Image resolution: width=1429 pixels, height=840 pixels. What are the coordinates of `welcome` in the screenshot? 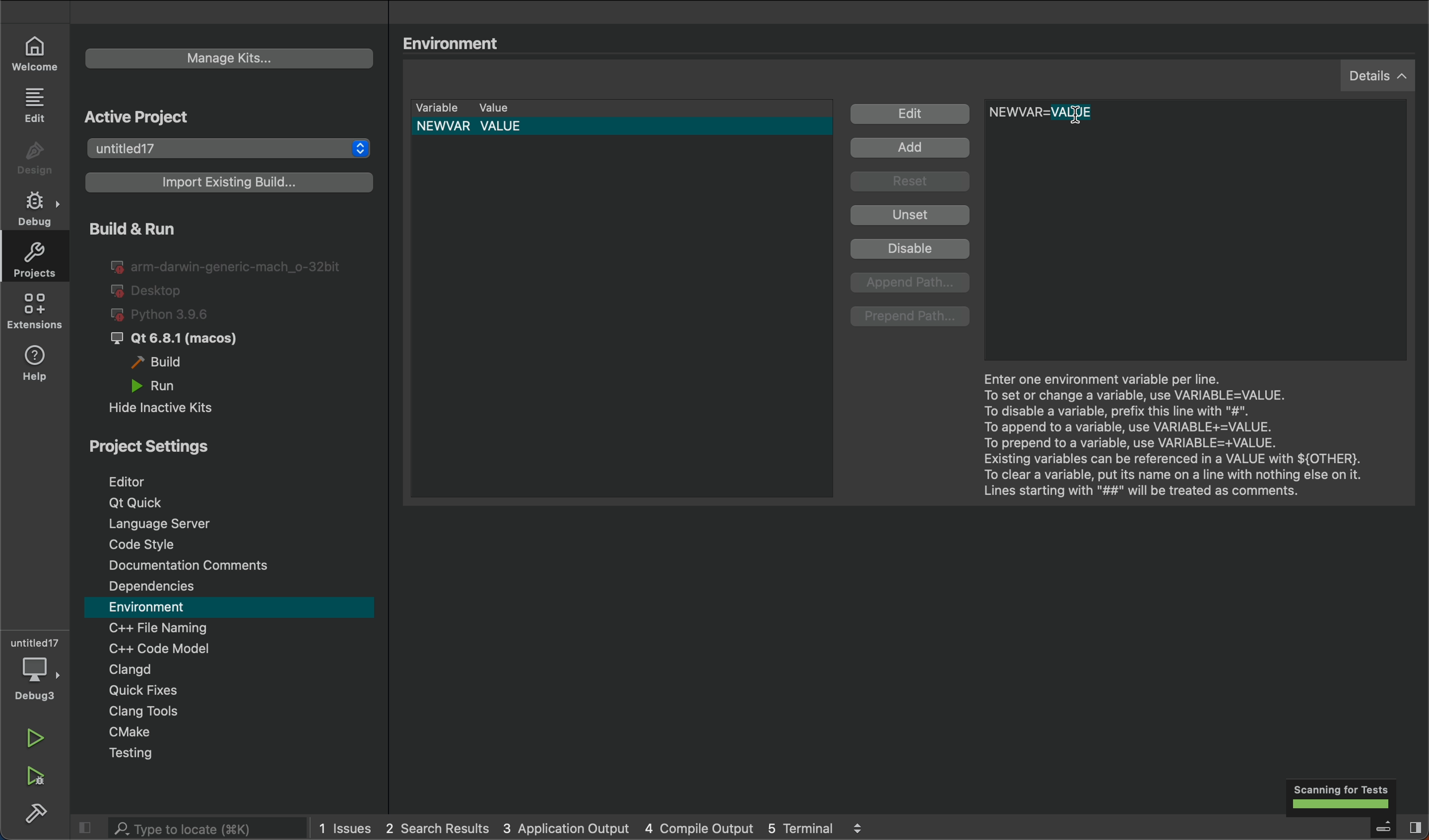 It's located at (36, 52).